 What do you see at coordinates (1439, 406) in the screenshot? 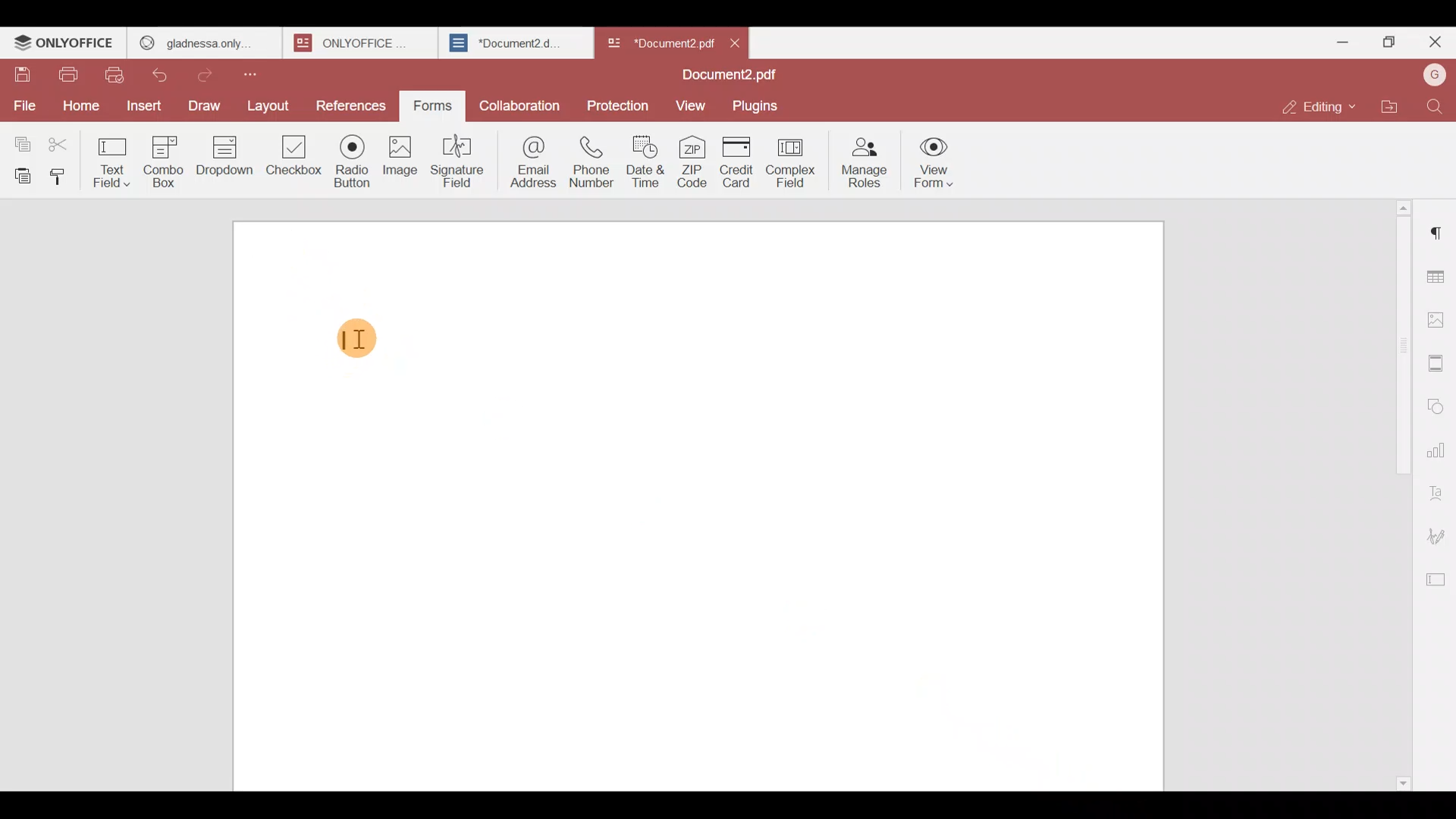
I see `Shapes settings` at bounding box center [1439, 406].